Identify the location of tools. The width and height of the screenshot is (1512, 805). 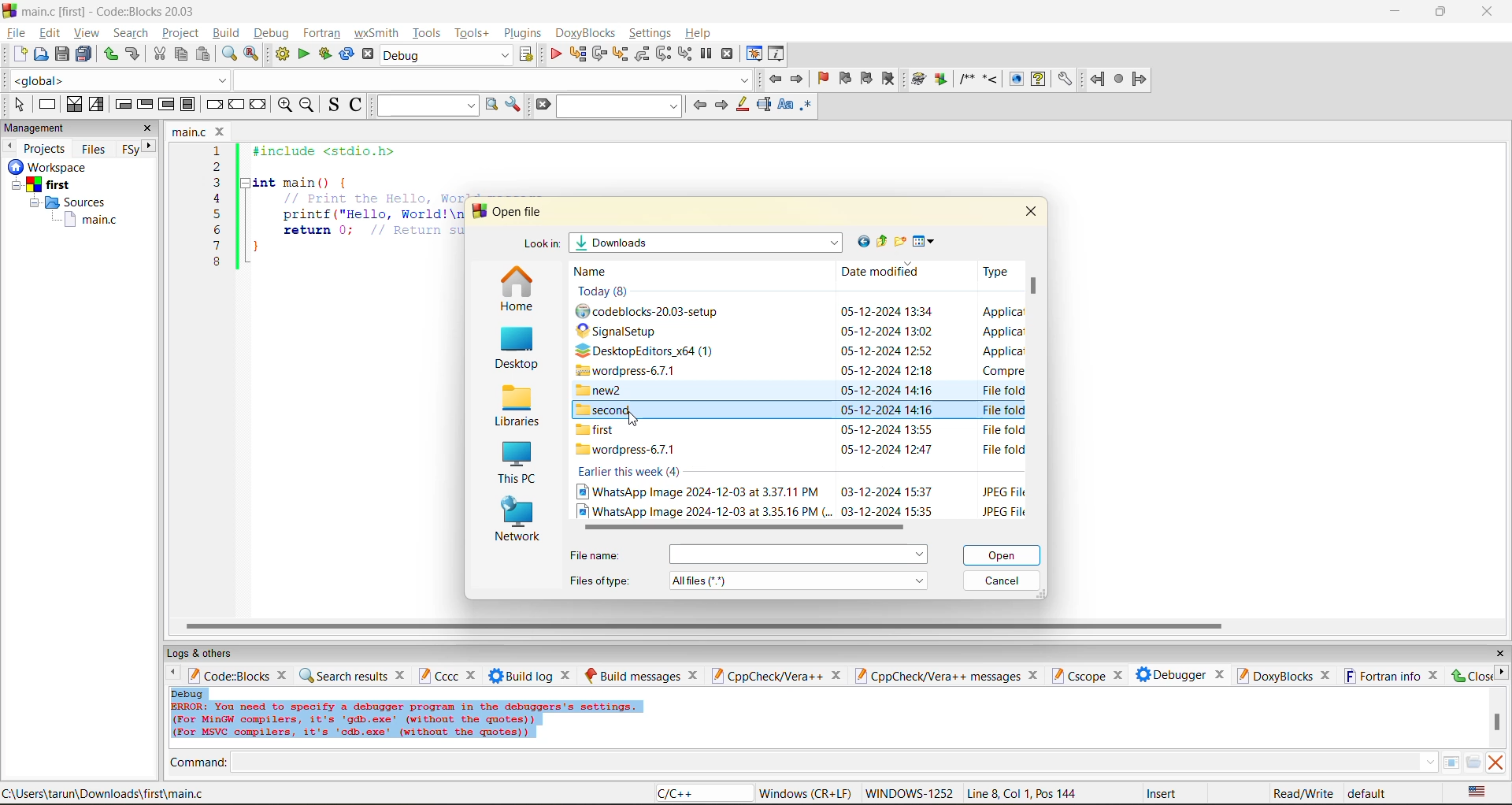
(428, 32).